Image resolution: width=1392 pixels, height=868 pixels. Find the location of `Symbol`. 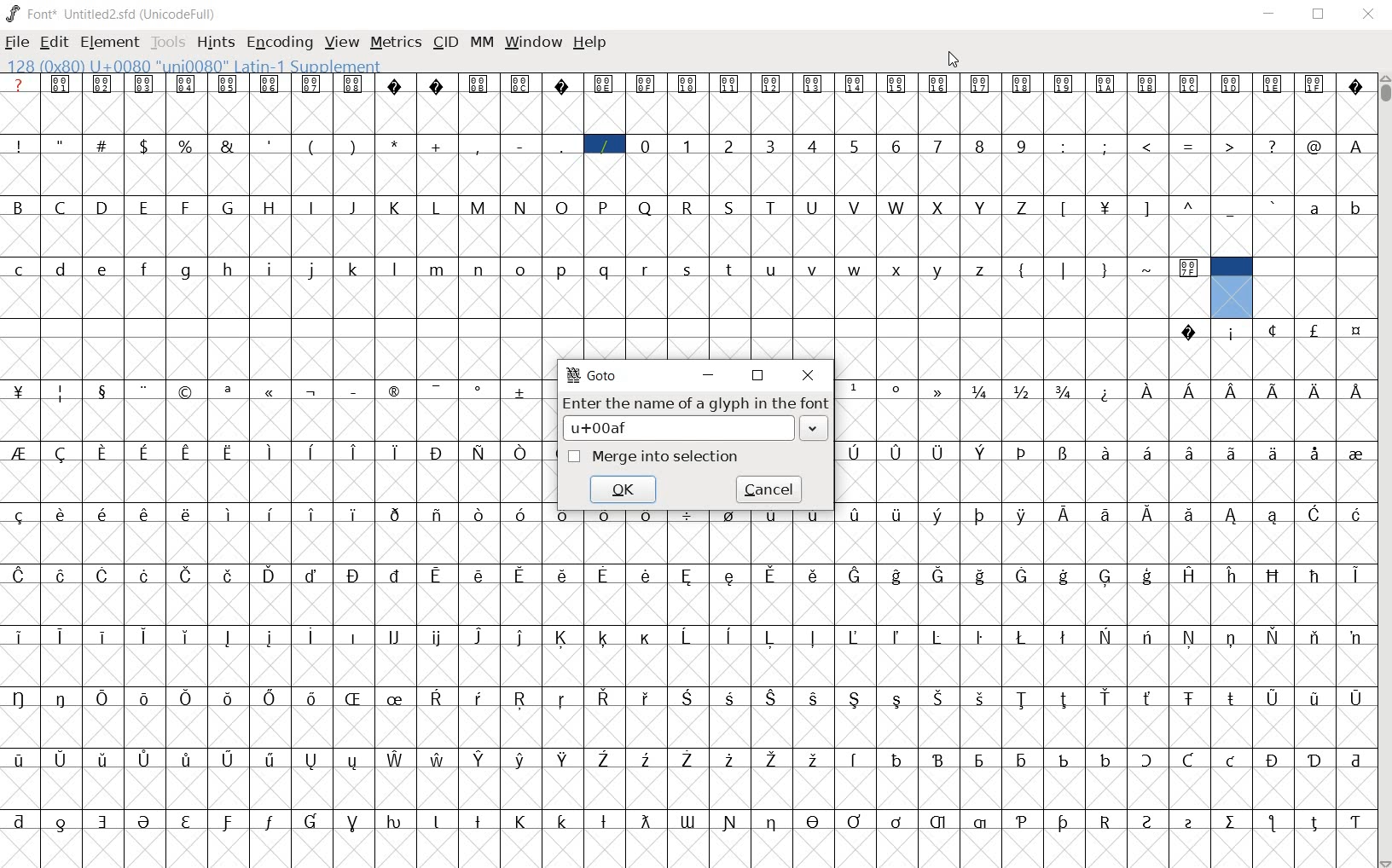

Symbol is located at coordinates (771, 574).